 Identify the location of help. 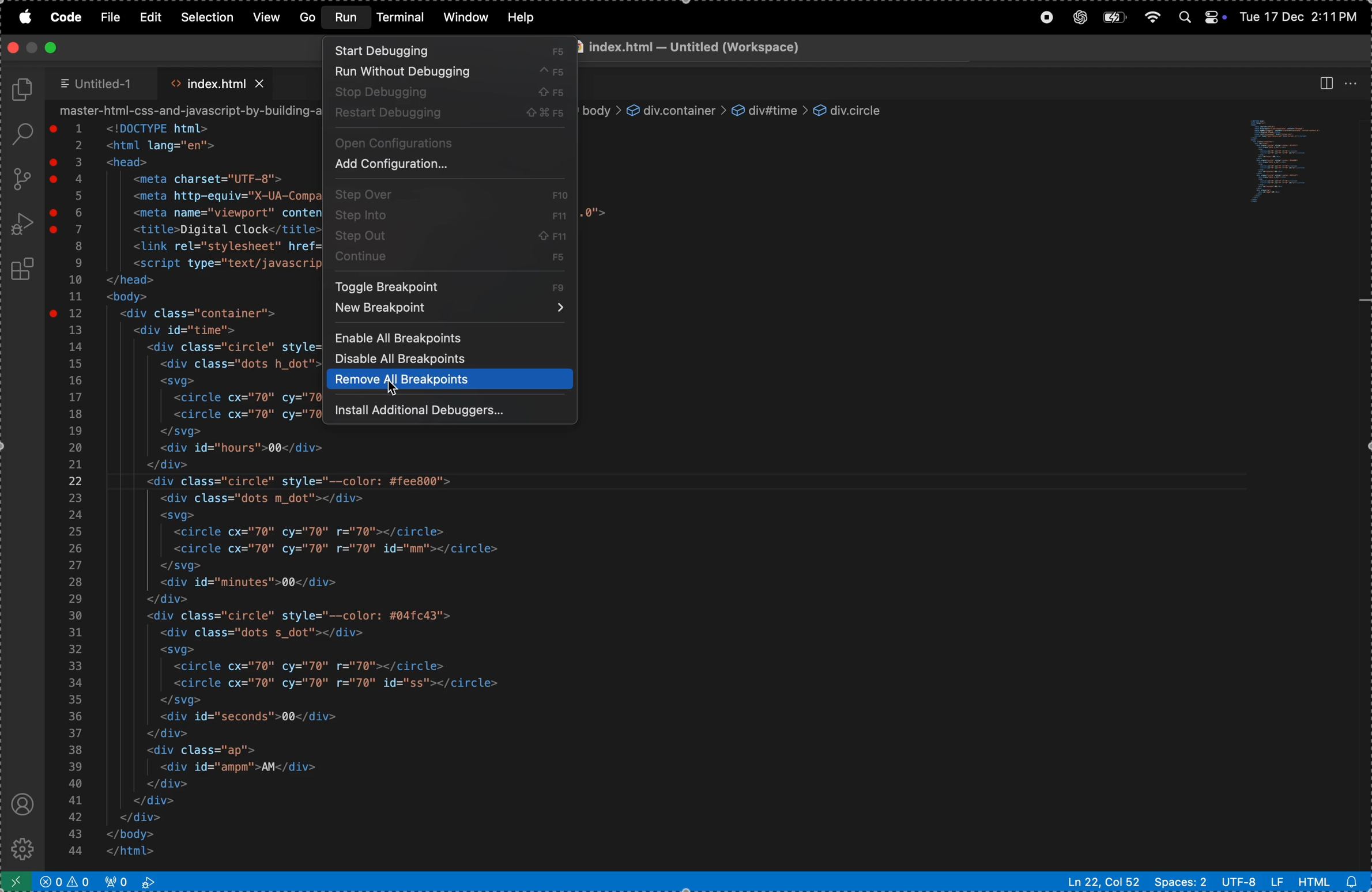
(522, 17).